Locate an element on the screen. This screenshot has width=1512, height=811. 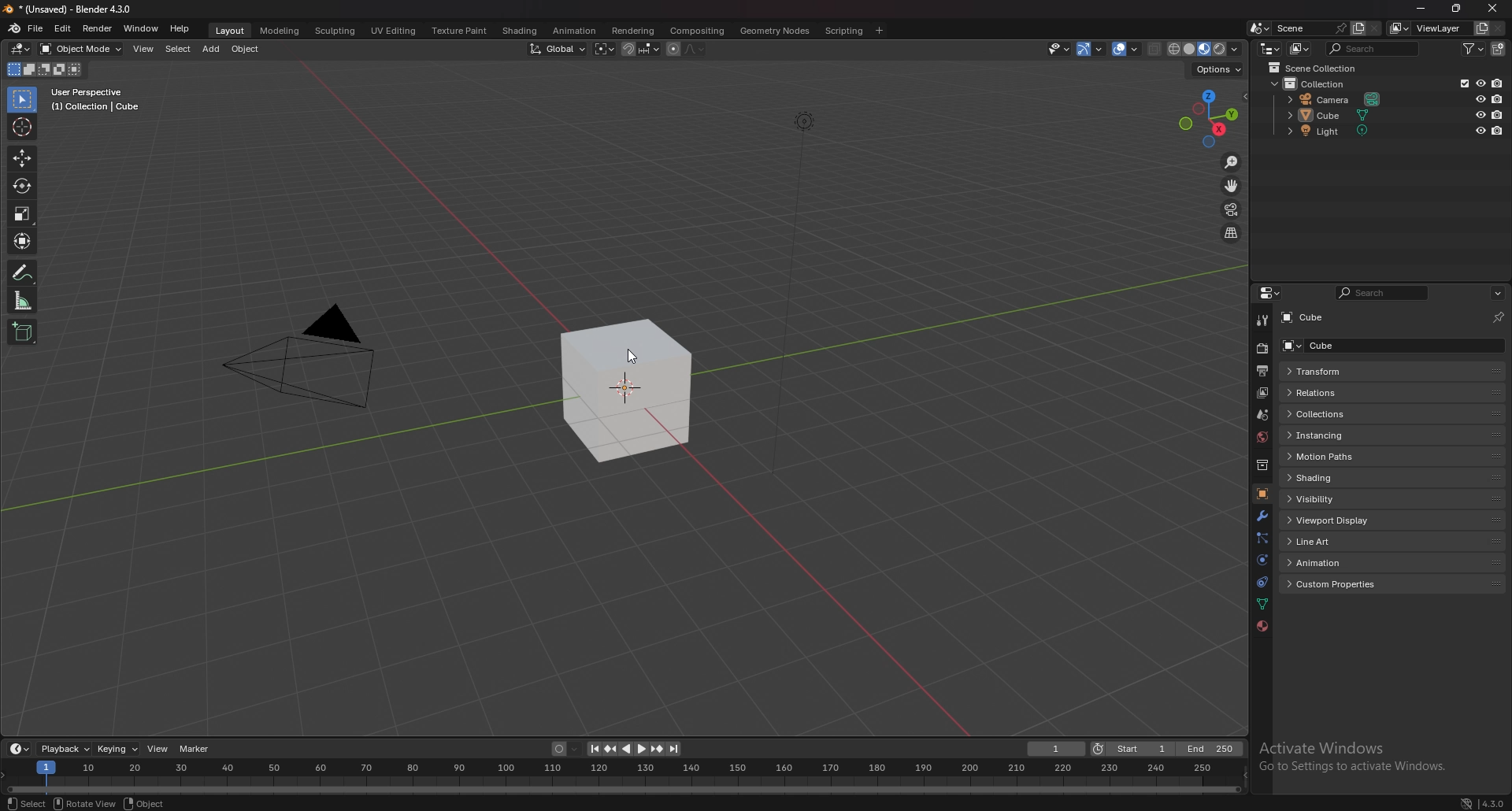
filter is located at coordinates (1473, 48).